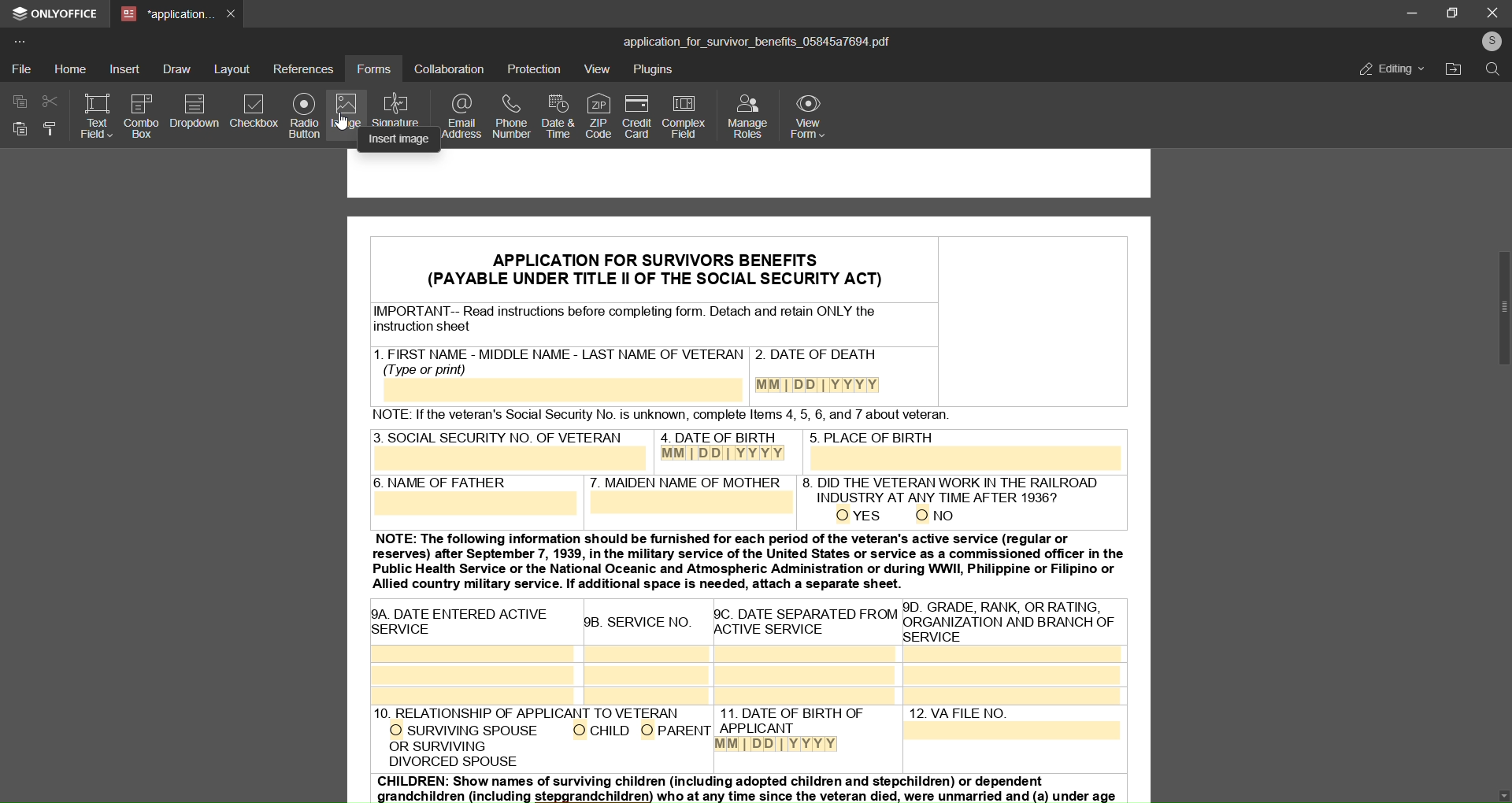 The width and height of the screenshot is (1512, 803). What do you see at coordinates (254, 113) in the screenshot?
I see `check box` at bounding box center [254, 113].